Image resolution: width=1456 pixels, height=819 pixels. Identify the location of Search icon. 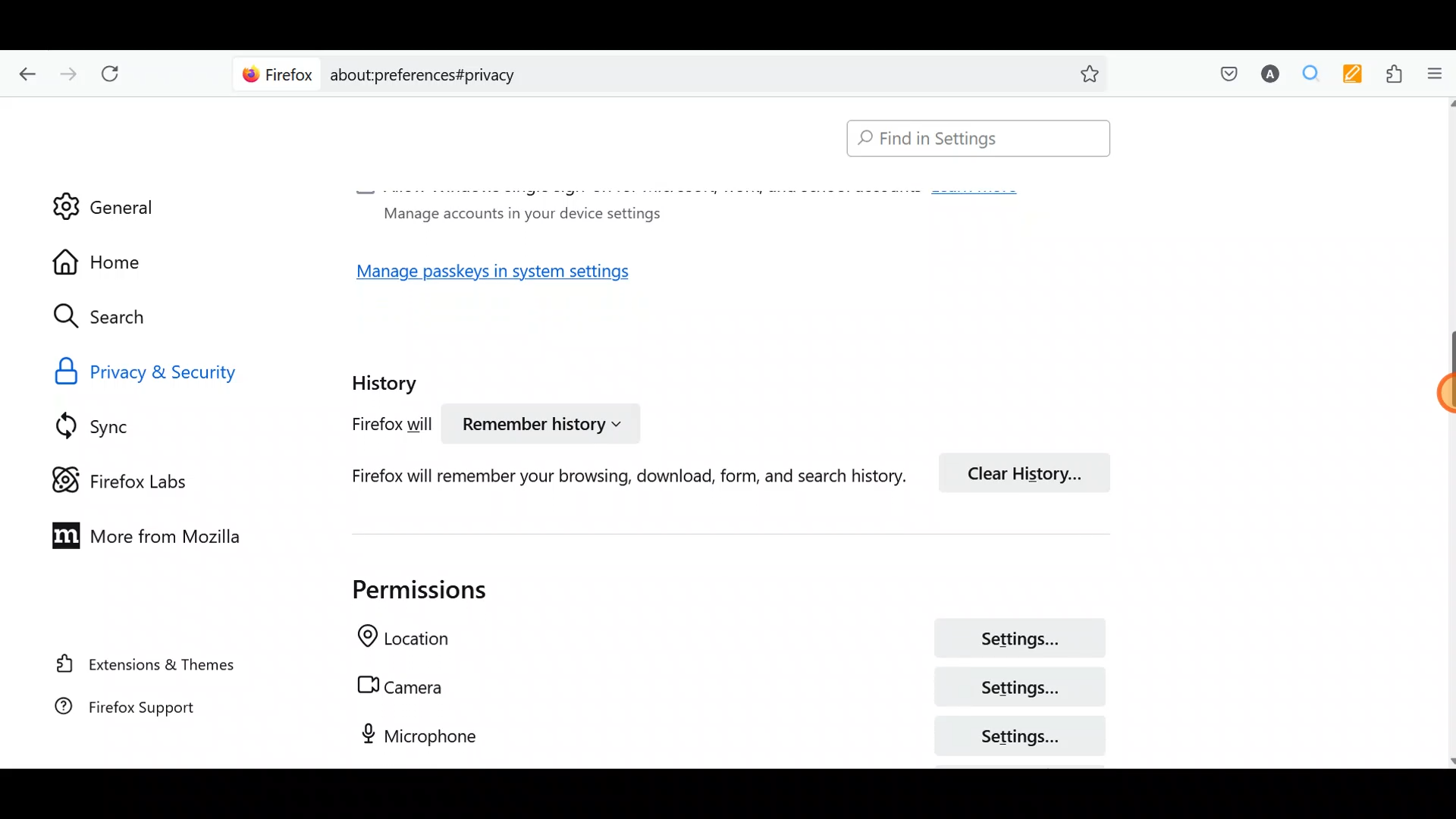
(115, 317).